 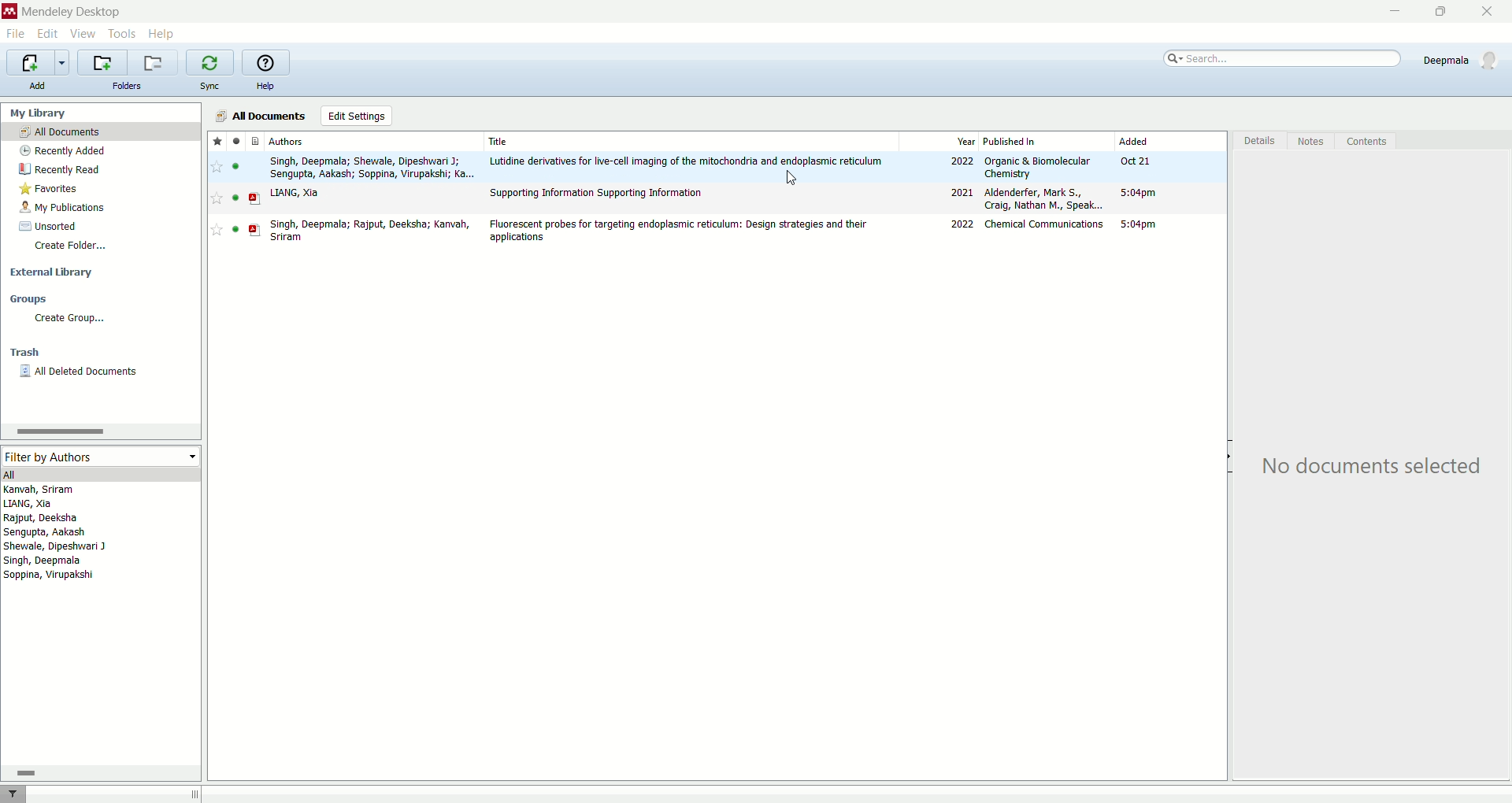 What do you see at coordinates (52, 272) in the screenshot?
I see `external library` at bounding box center [52, 272].